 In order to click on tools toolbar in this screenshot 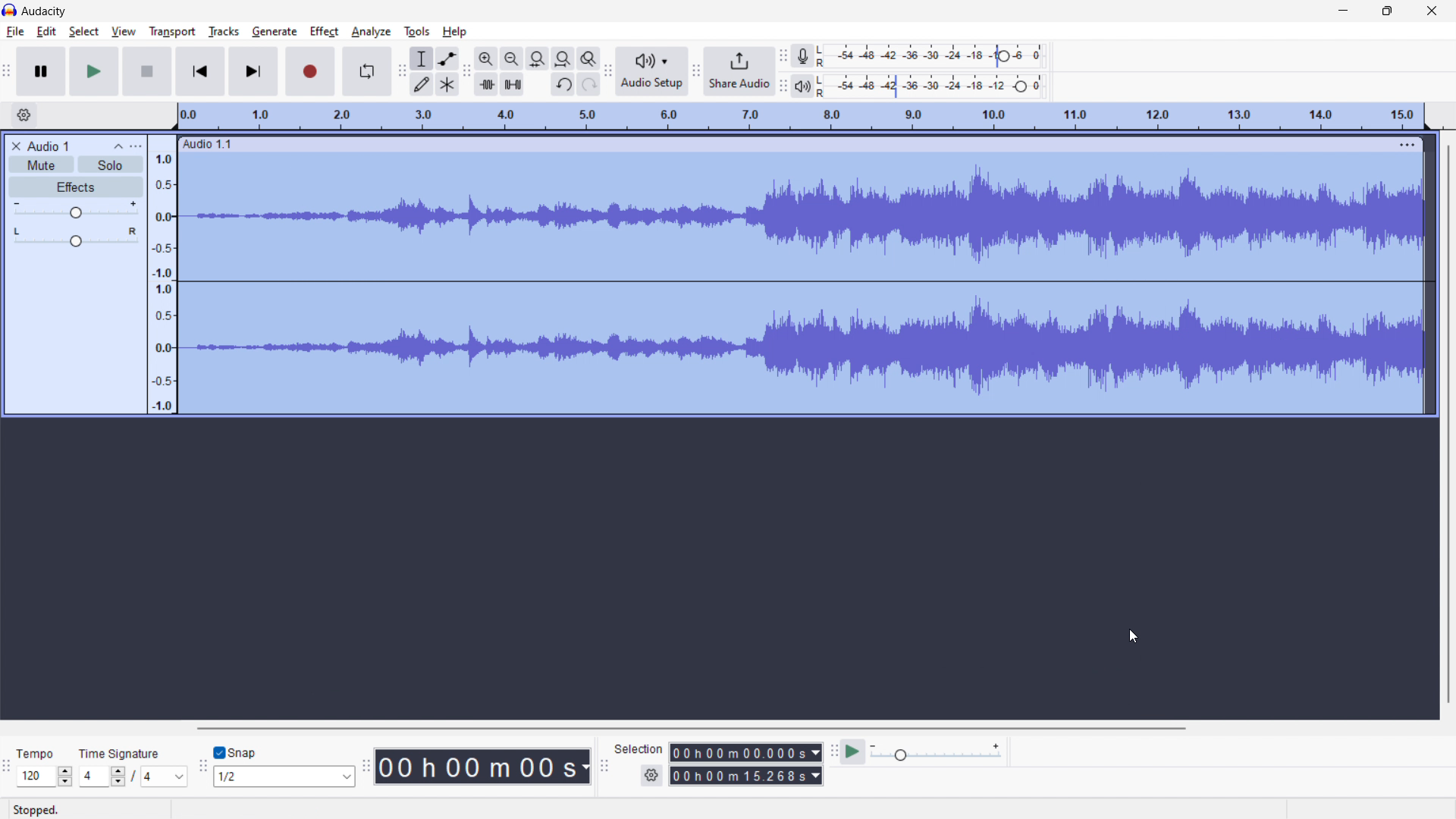, I will do `click(400, 71)`.